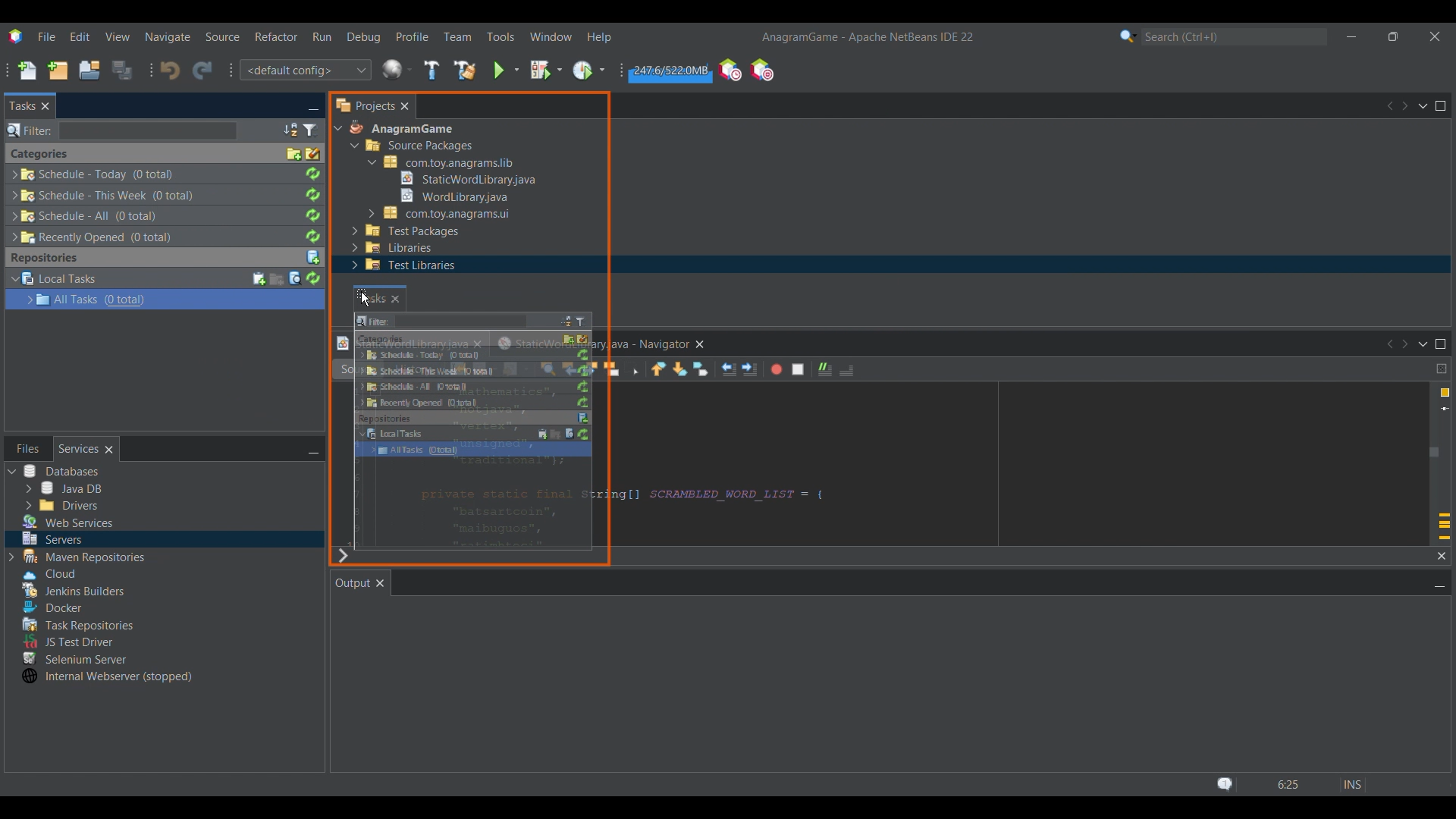 This screenshot has height=819, width=1456. What do you see at coordinates (551, 36) in the screenshot?
I see `Window menu` at bounding box center [551, 36].